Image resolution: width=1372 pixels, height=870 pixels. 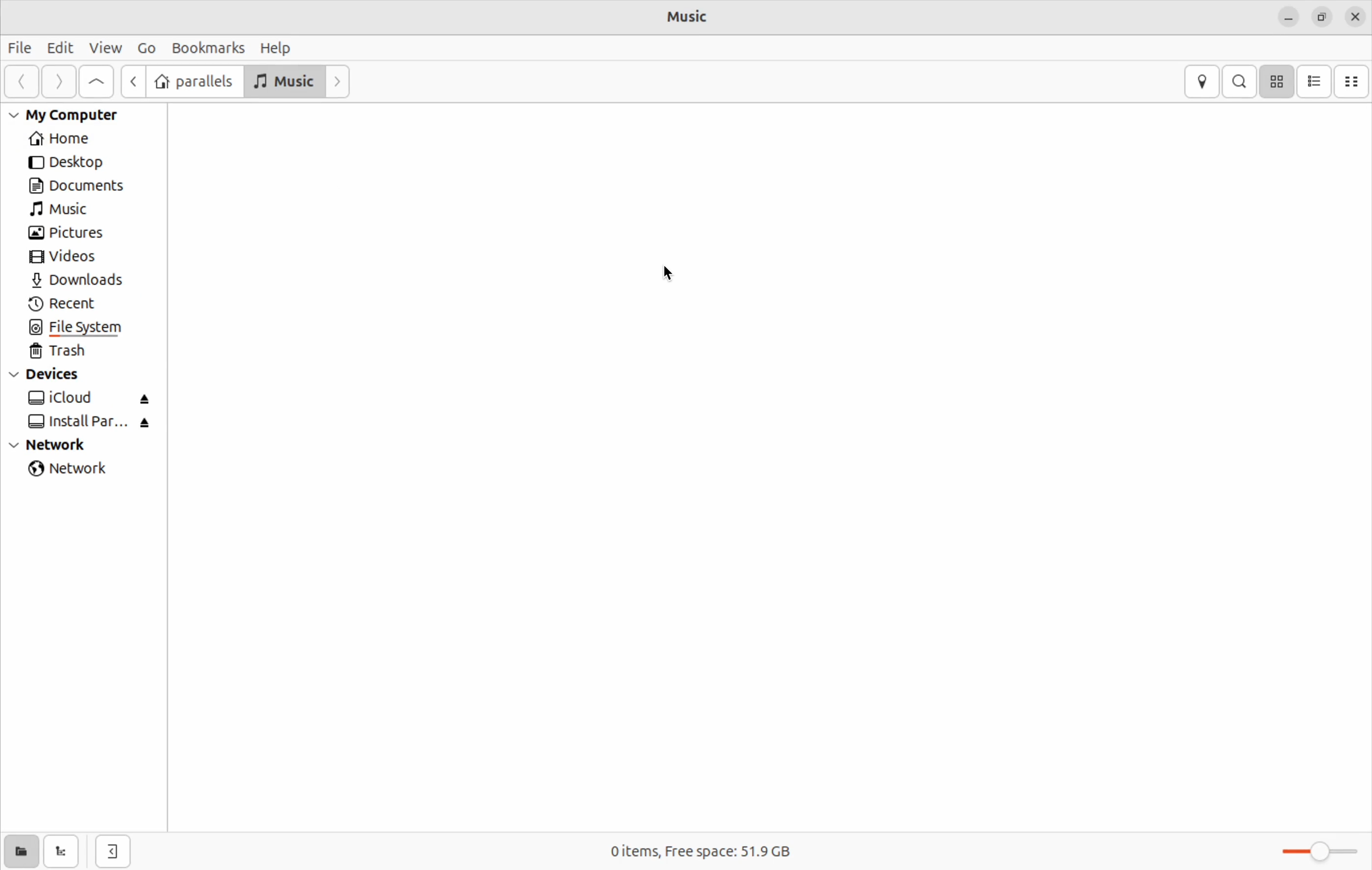 What do you see at coordinates (88, 281) in the screenshot?
I see `downloads` at bounding box center [88, 281].